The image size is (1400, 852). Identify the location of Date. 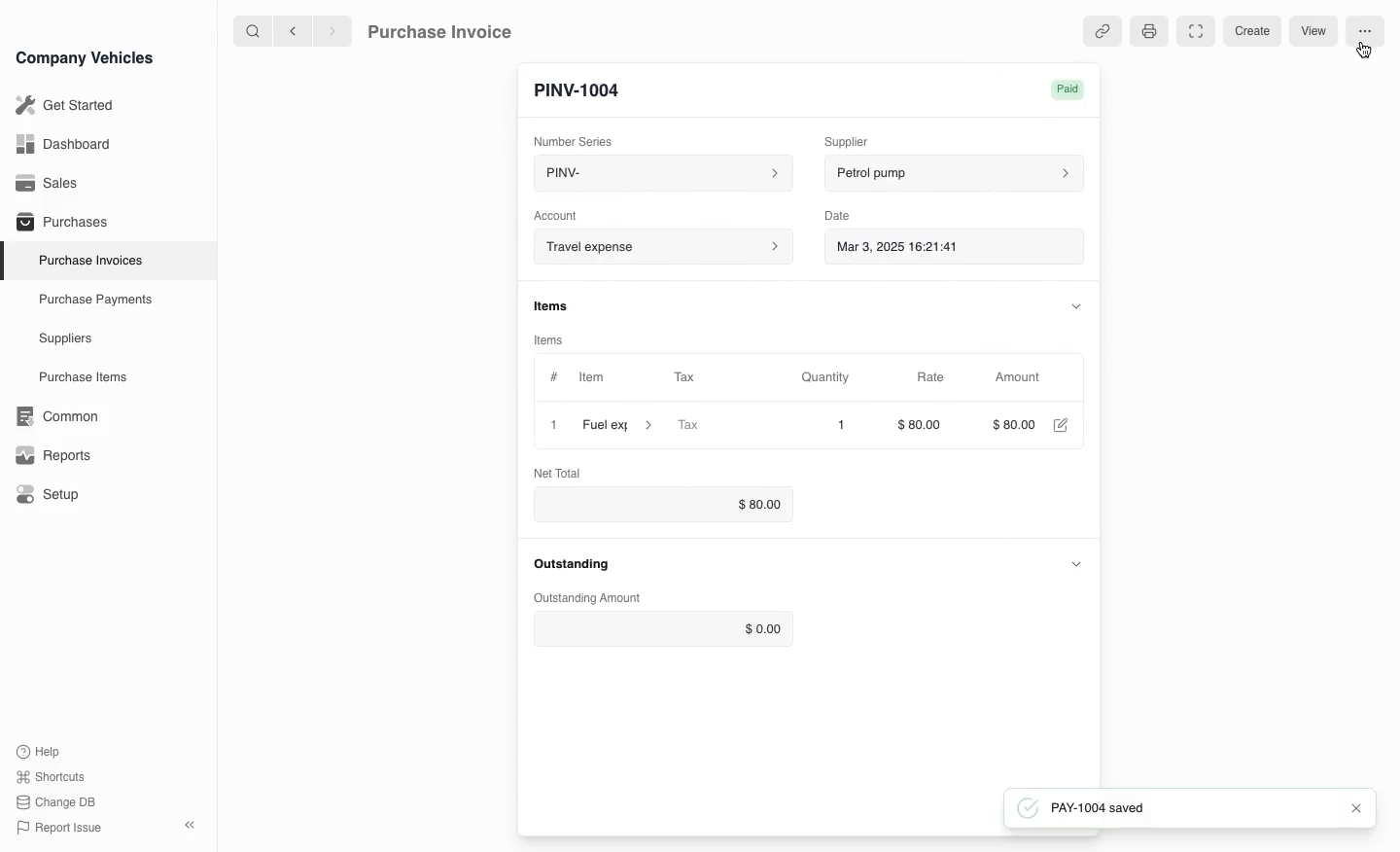
(838, 215).